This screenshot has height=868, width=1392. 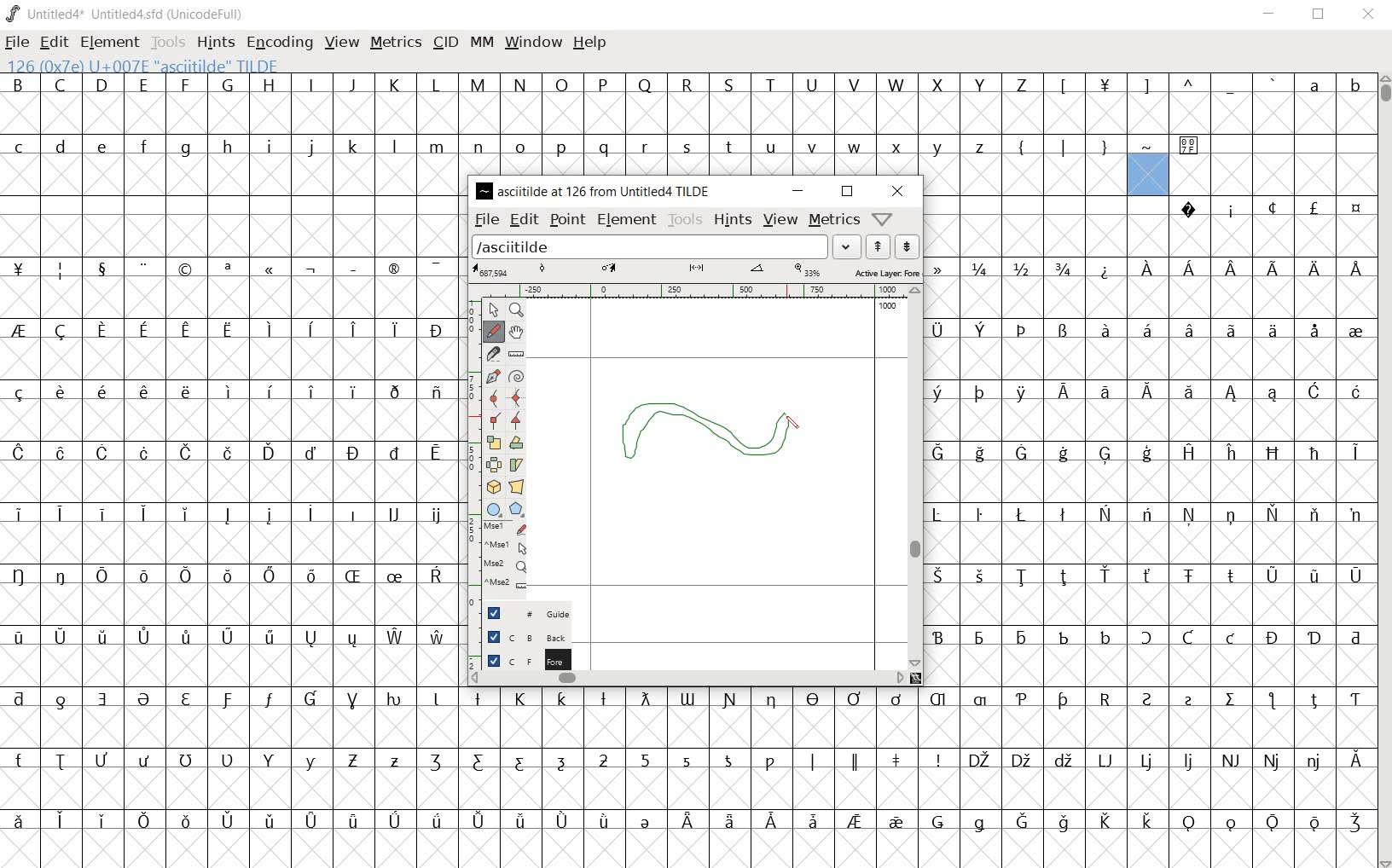 I want to click on file, so click(x=485, y=218).